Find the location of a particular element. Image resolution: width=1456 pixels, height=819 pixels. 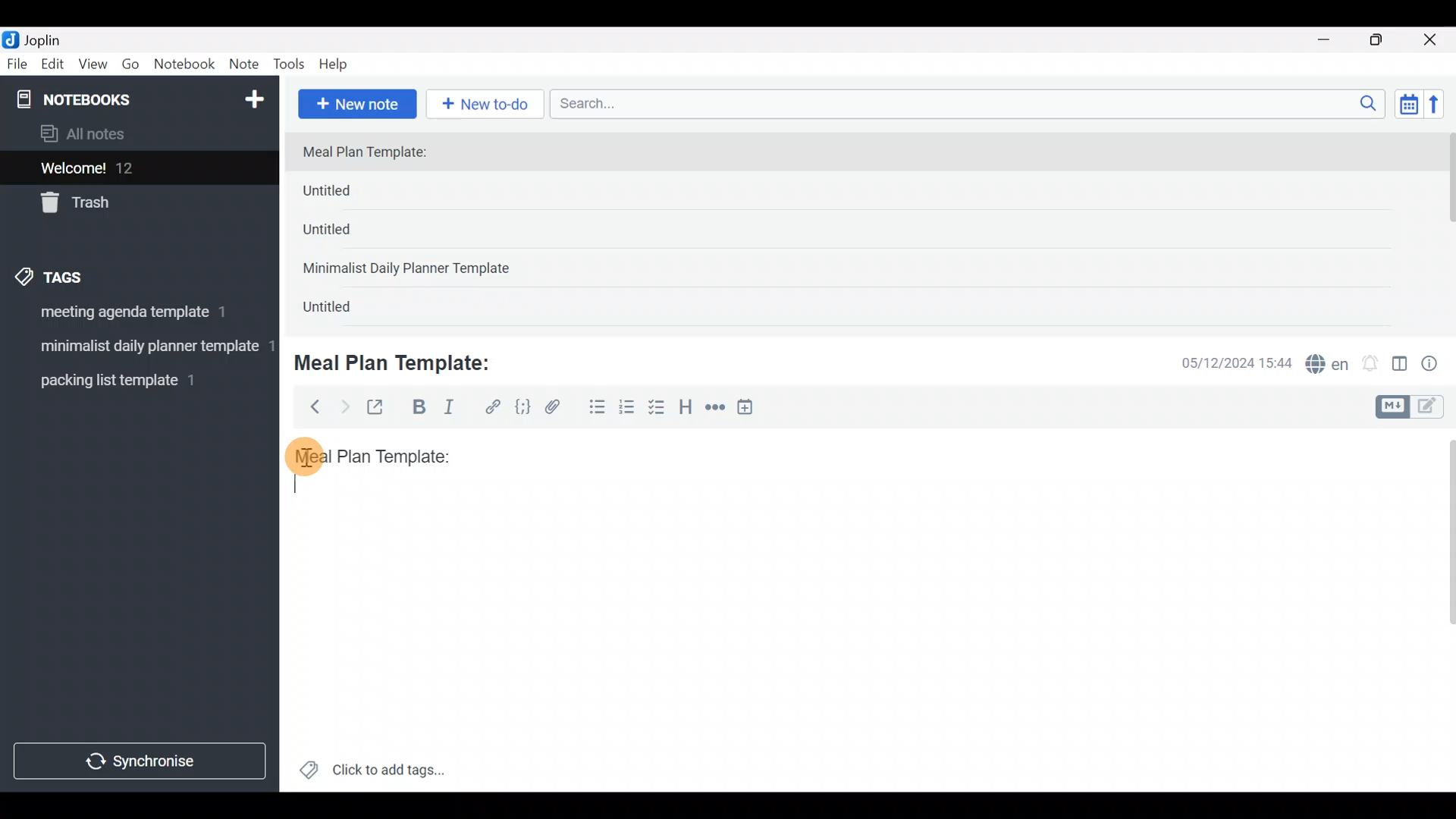

Text editor is located at coordinates (846, 639).